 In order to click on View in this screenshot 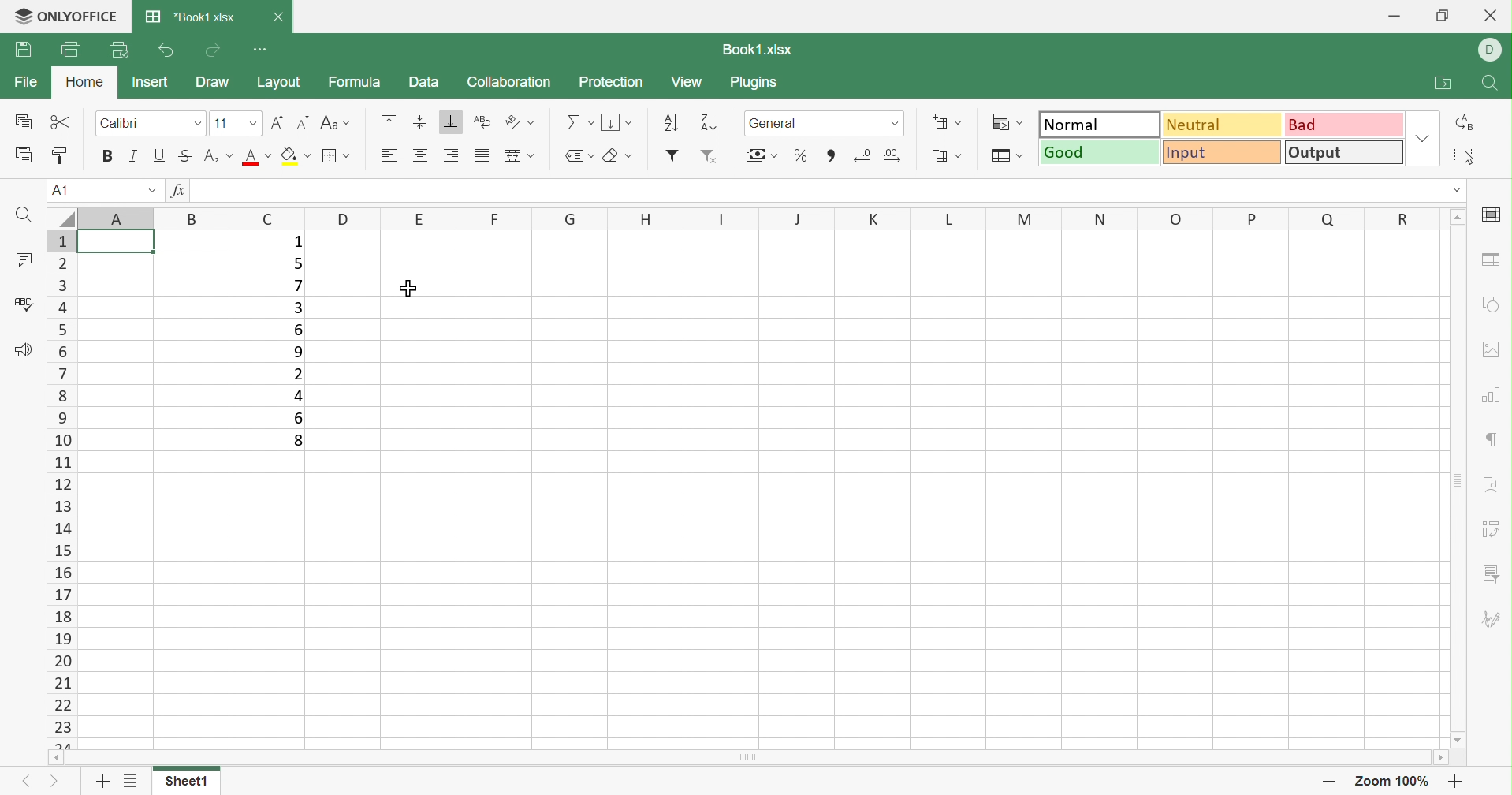, I will do `click(687, 83)`.